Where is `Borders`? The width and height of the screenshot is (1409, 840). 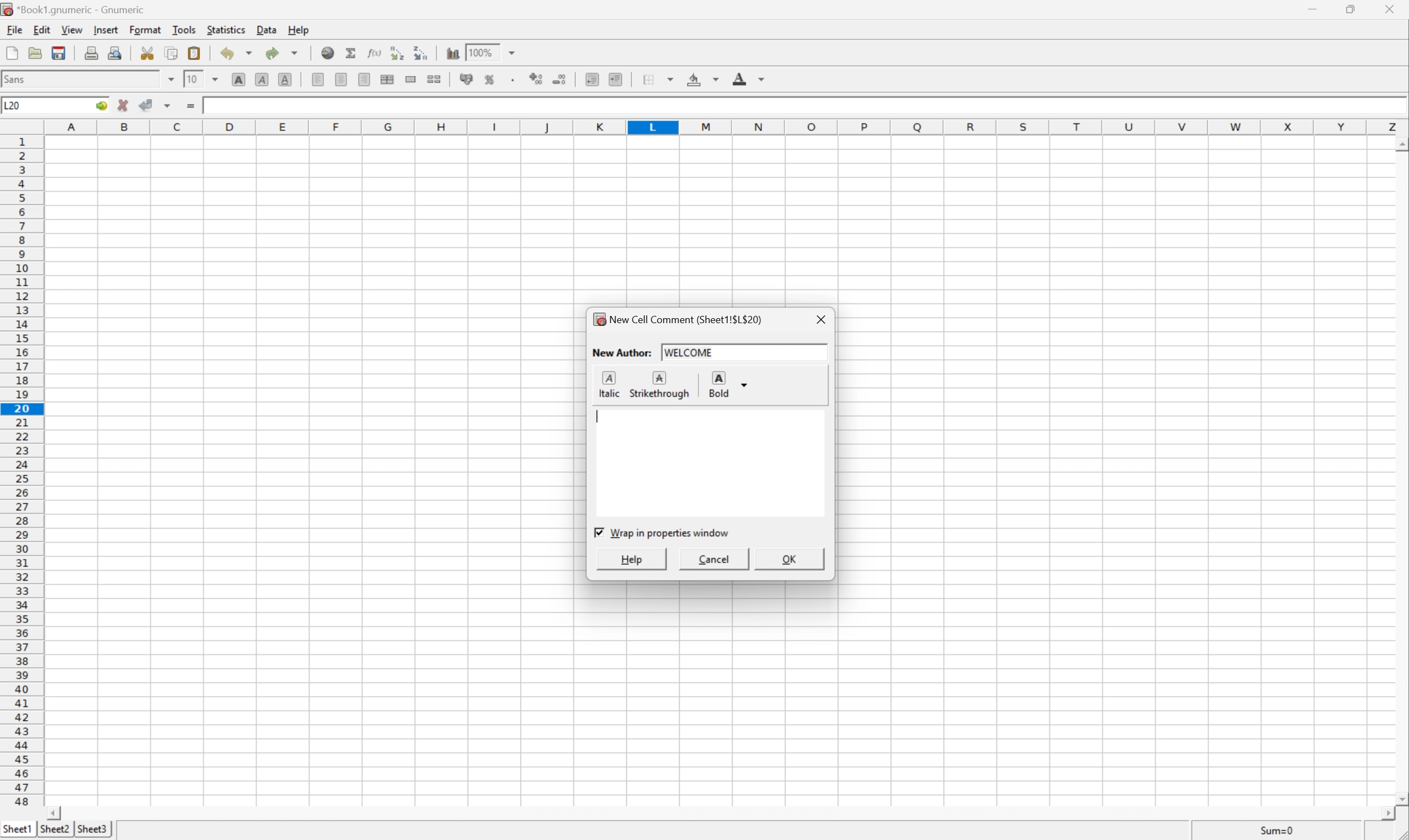
Borders is located at coordinates (659, 79).